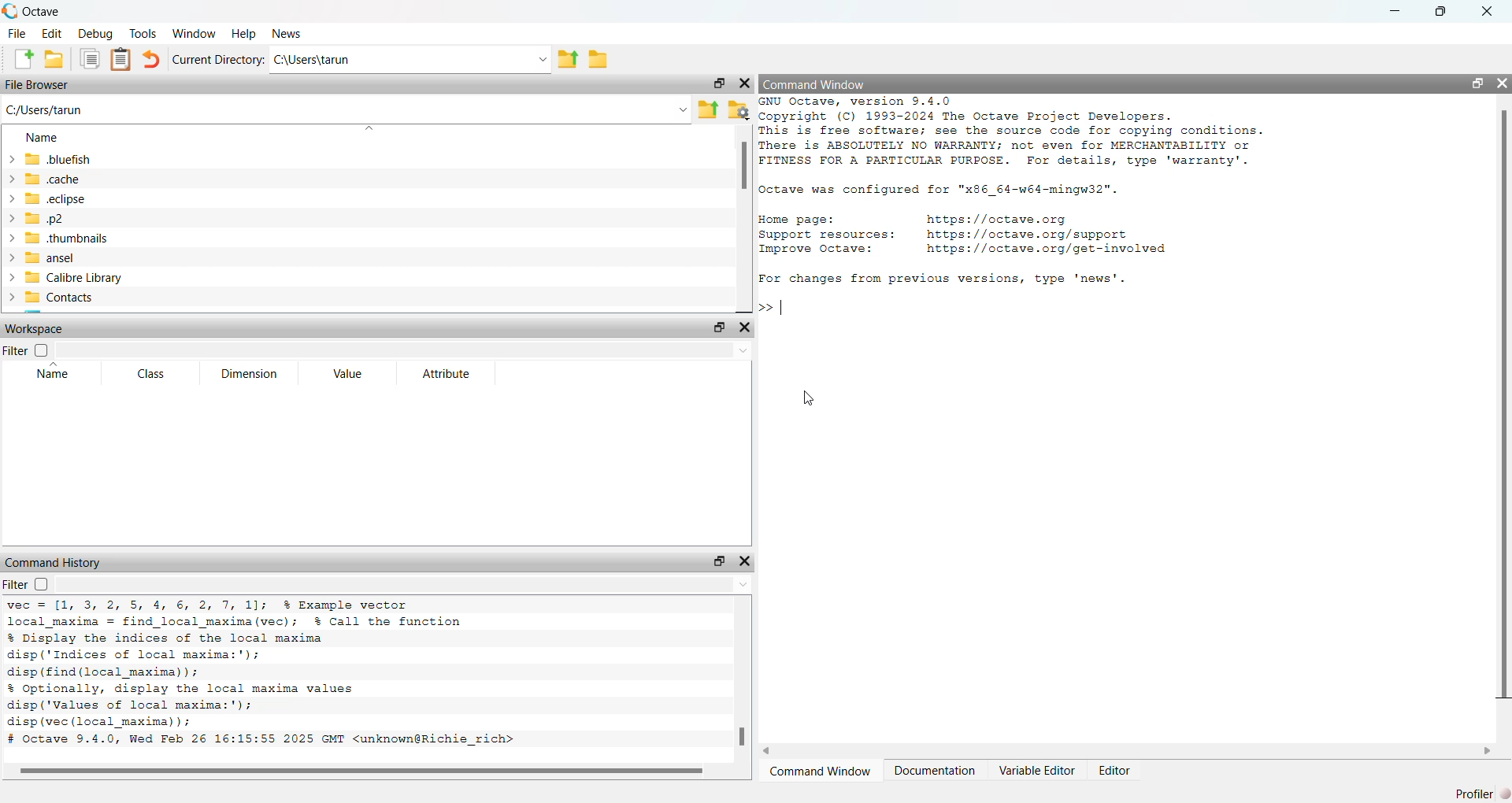 This screenshot has width=1512, height=803. I want to click on Open an existing file in editor, so click(55, 58).